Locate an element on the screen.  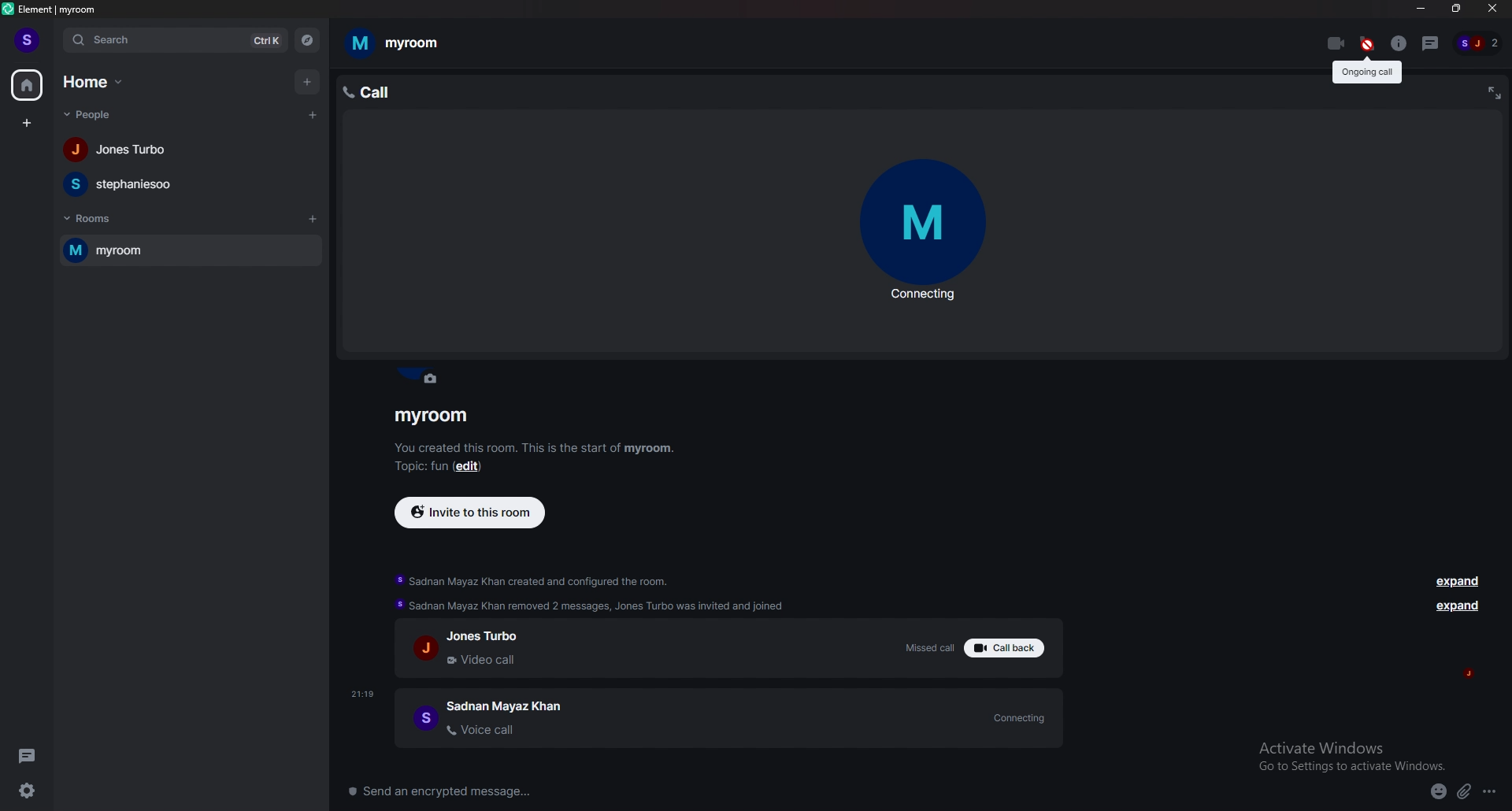
add room is located at coordinates (317, 224).